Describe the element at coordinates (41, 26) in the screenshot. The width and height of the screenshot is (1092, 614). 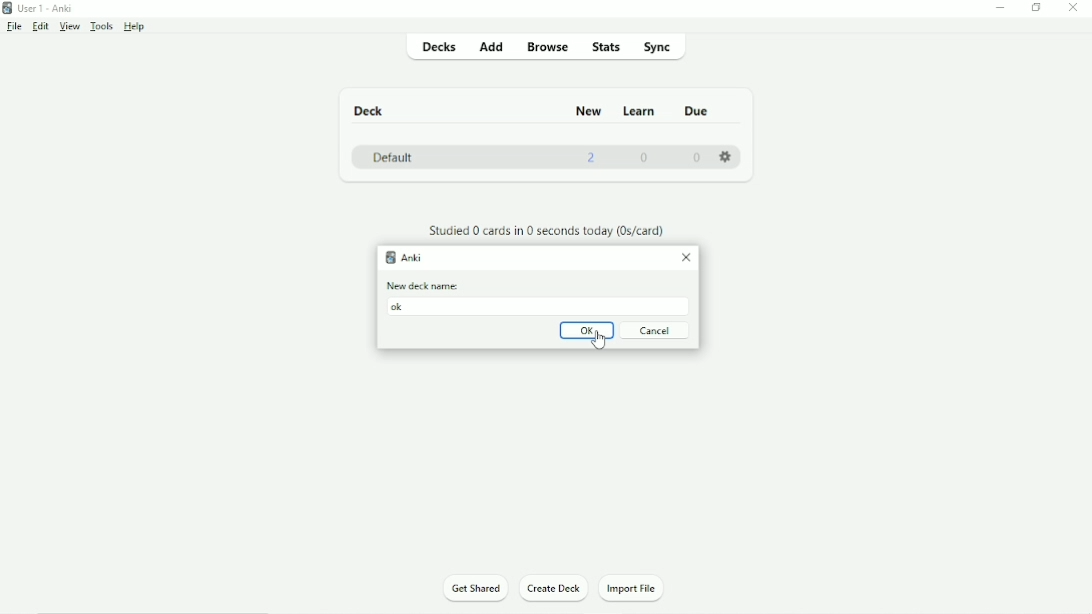
I see `Edit` at that location.